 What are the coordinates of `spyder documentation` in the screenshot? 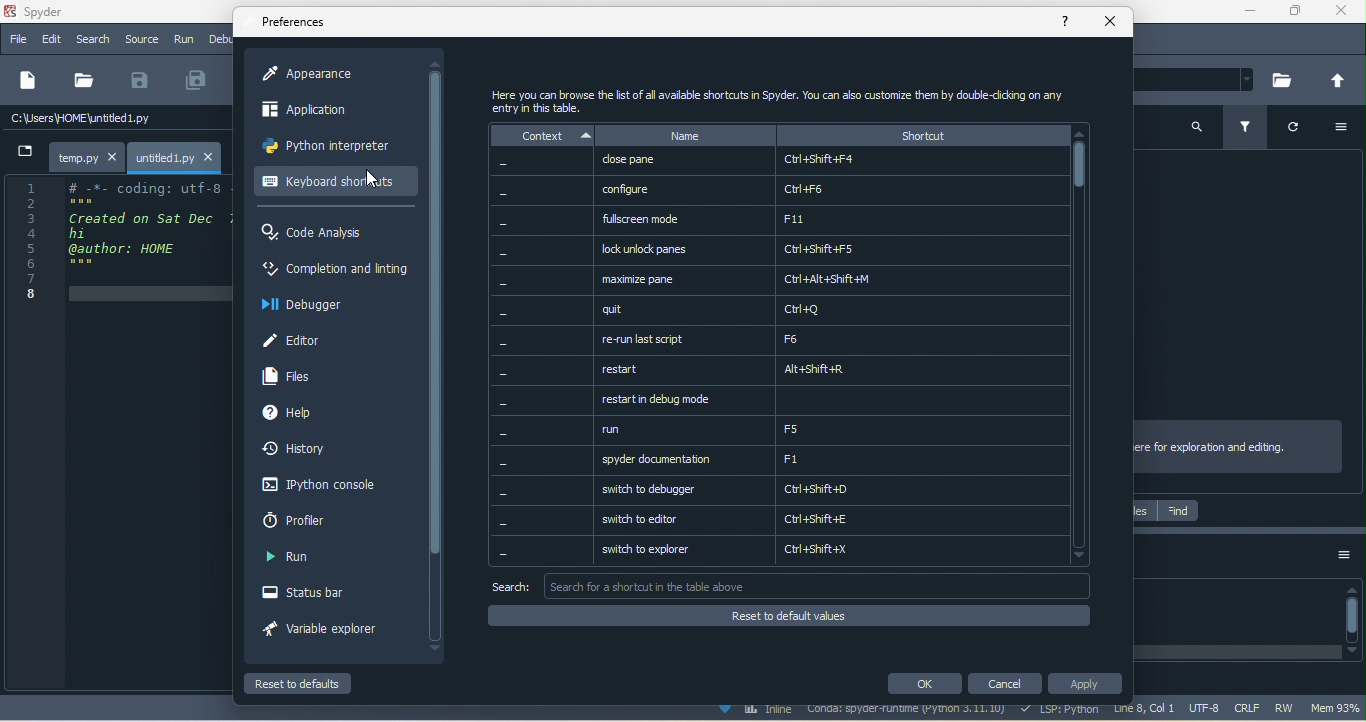 It's located at (825, 459).